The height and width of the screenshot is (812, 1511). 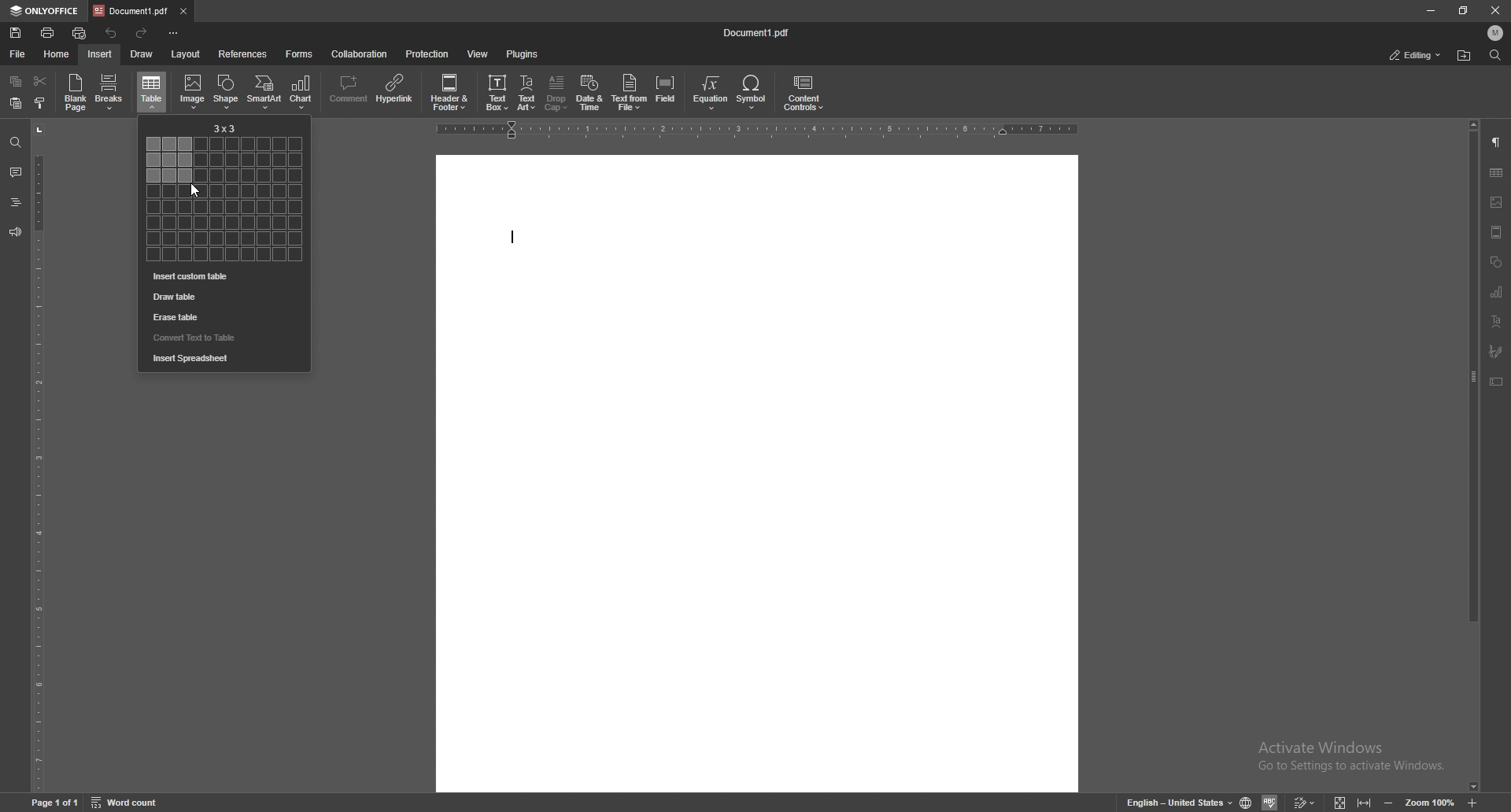 I want to click on paragraph, so click(x=1498, y=141).